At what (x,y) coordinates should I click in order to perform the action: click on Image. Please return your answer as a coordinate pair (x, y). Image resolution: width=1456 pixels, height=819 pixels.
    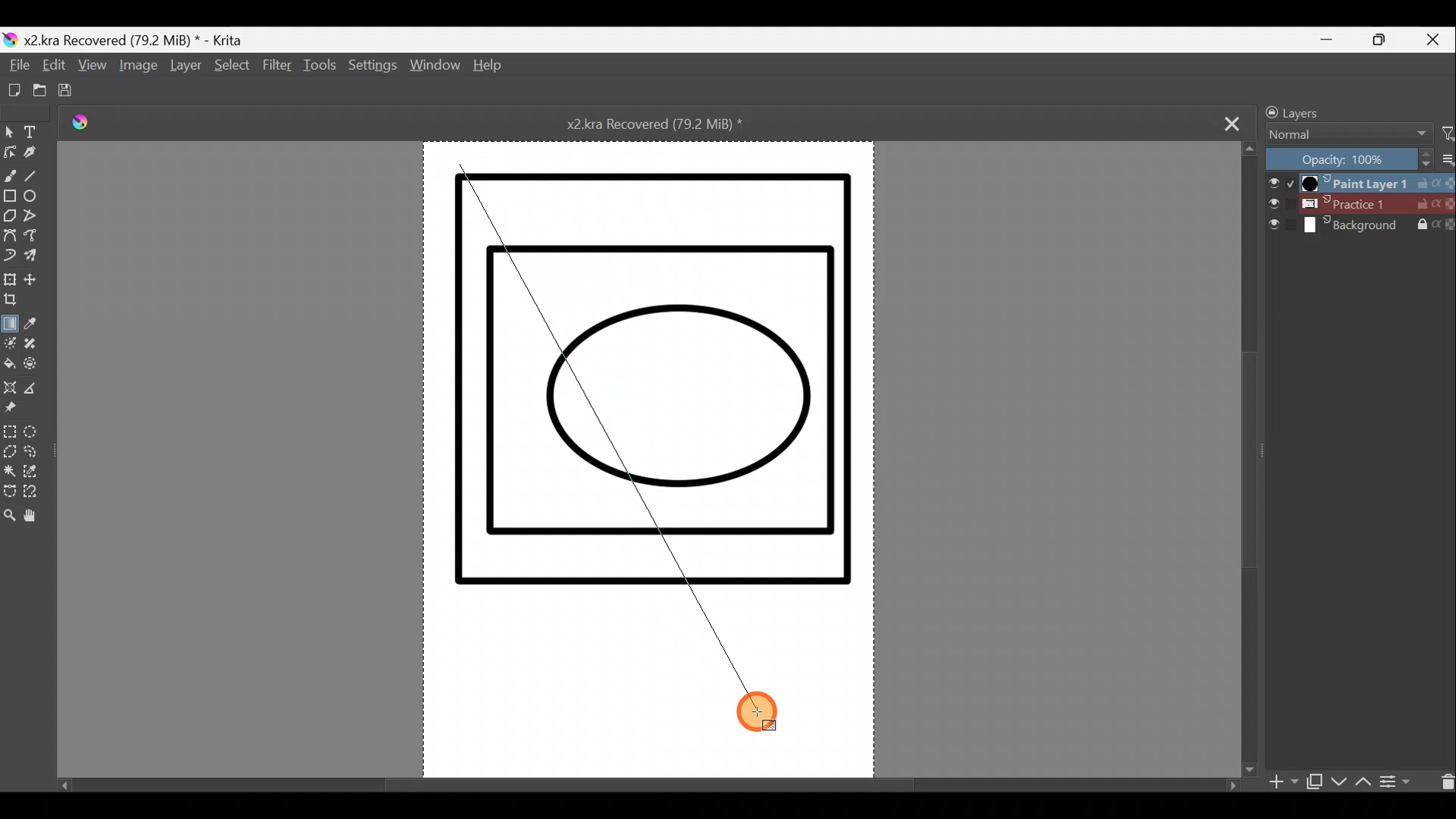
    Looking at the image, I should click on (136, 68).